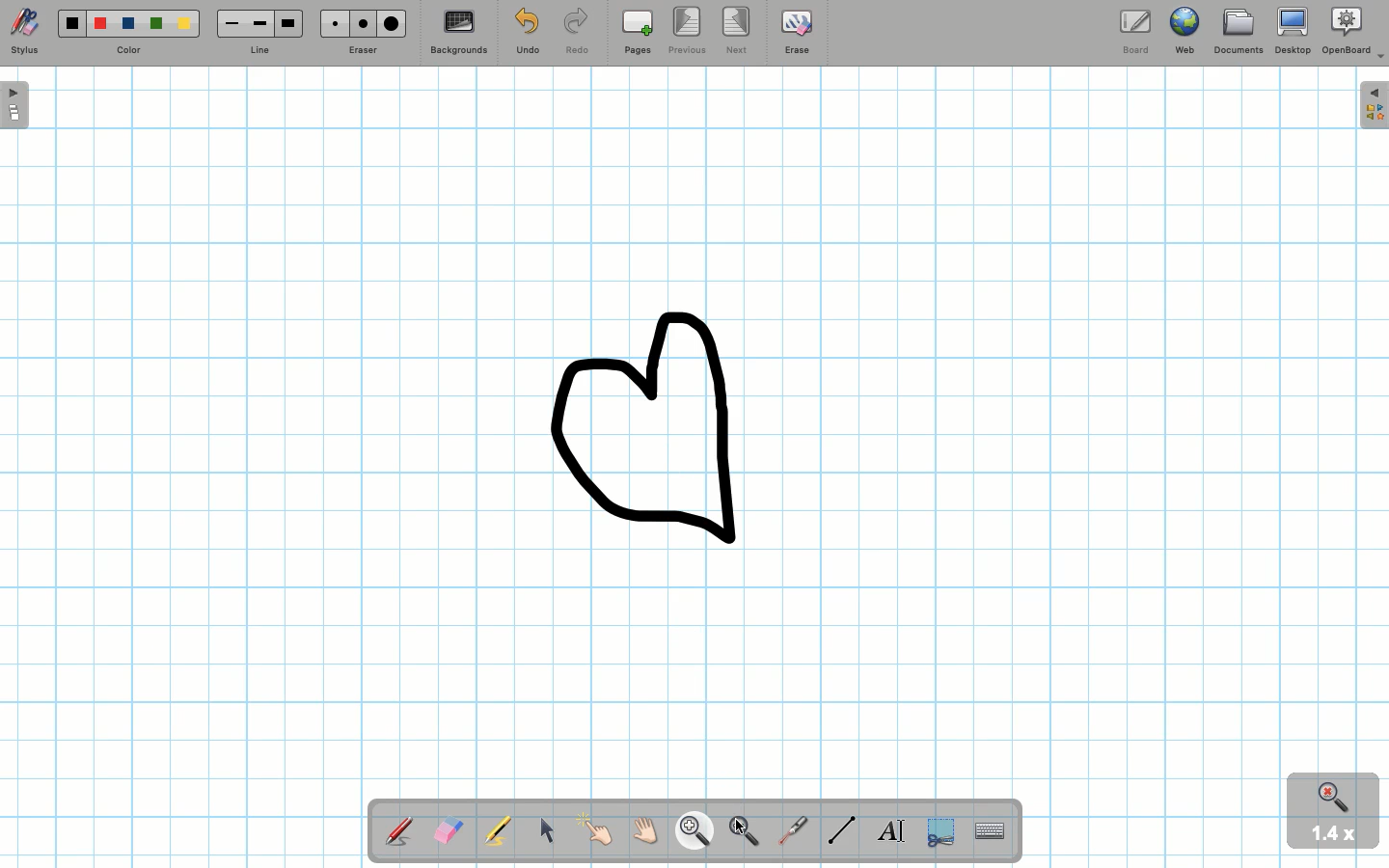  I want to click on Selection tool, so click(937, 833).